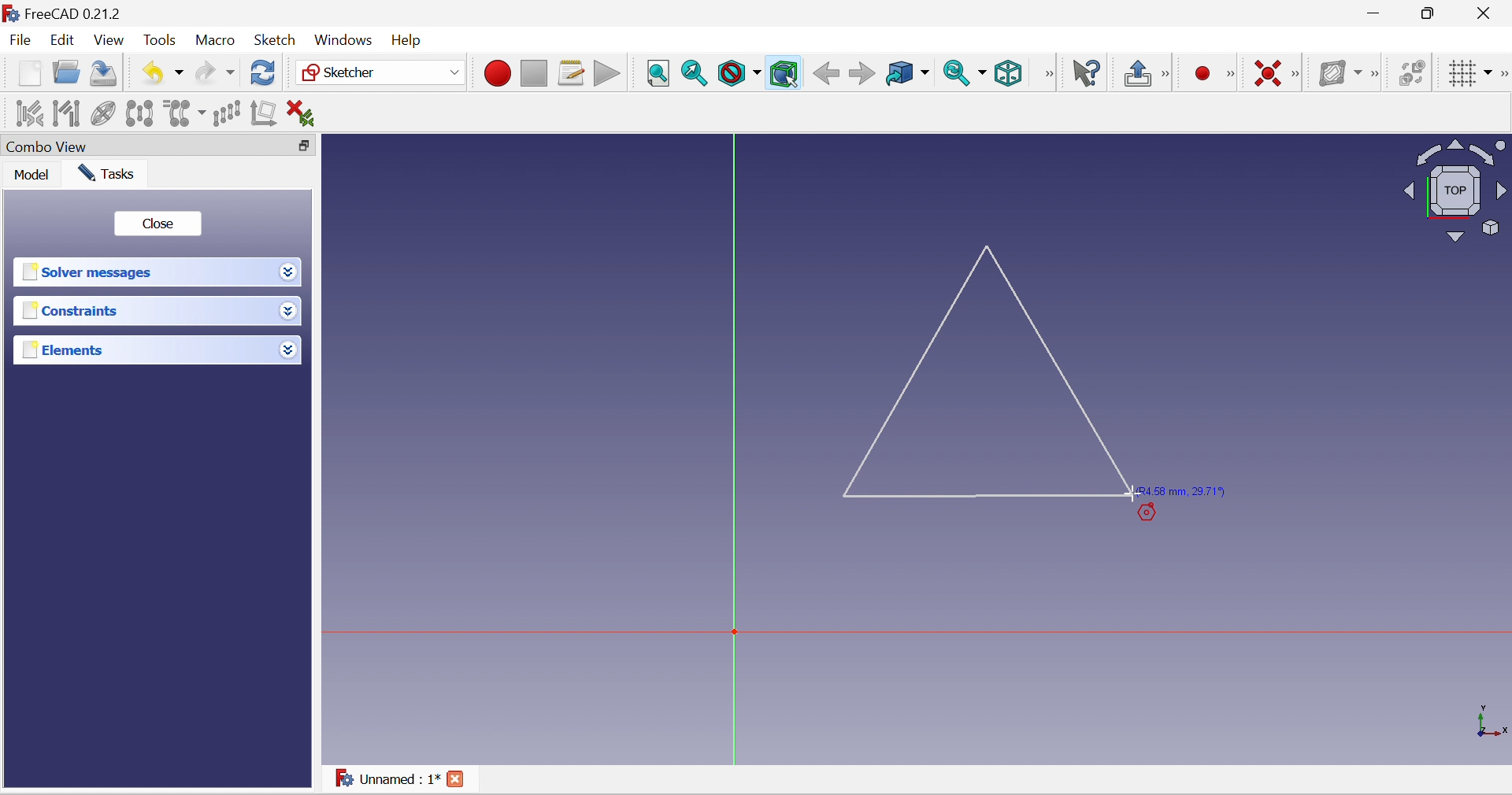 This screenshot has height=795, width=1512. Describe the element at coordinates (139, 113) in the screenshot. I see `Symmetry` at that location.